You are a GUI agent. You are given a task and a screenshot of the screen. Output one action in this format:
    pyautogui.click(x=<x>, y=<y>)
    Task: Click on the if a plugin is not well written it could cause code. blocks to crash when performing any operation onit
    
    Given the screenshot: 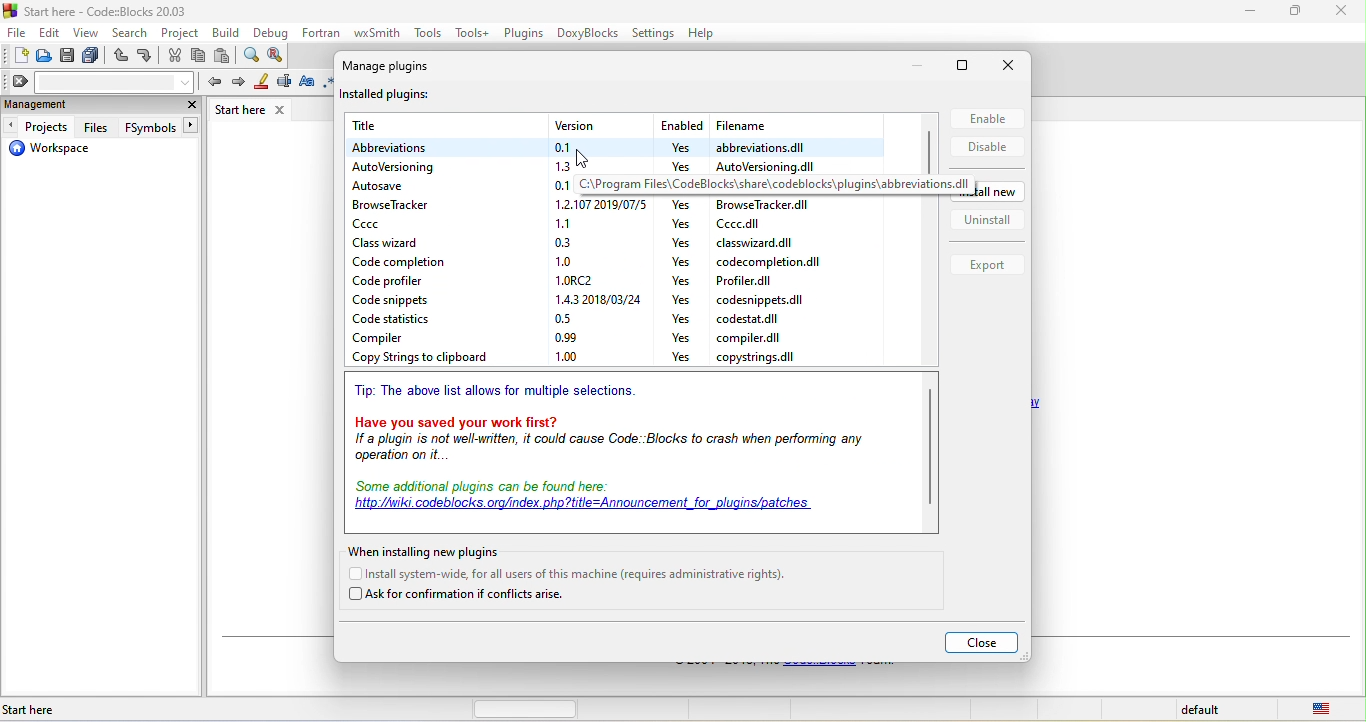 What is the action you would take?
    pyautogui.click(x=609, y=449)
    